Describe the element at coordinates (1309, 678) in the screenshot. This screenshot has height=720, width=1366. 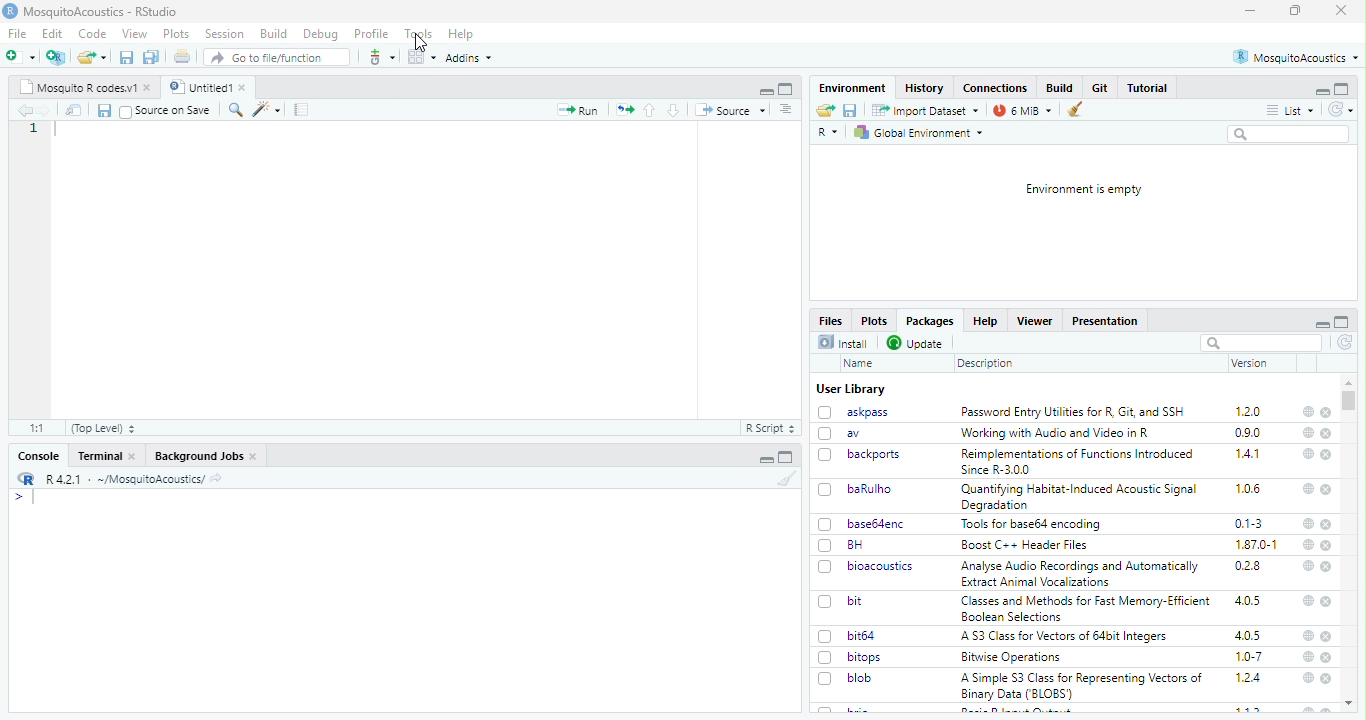
I see `web` at that location.